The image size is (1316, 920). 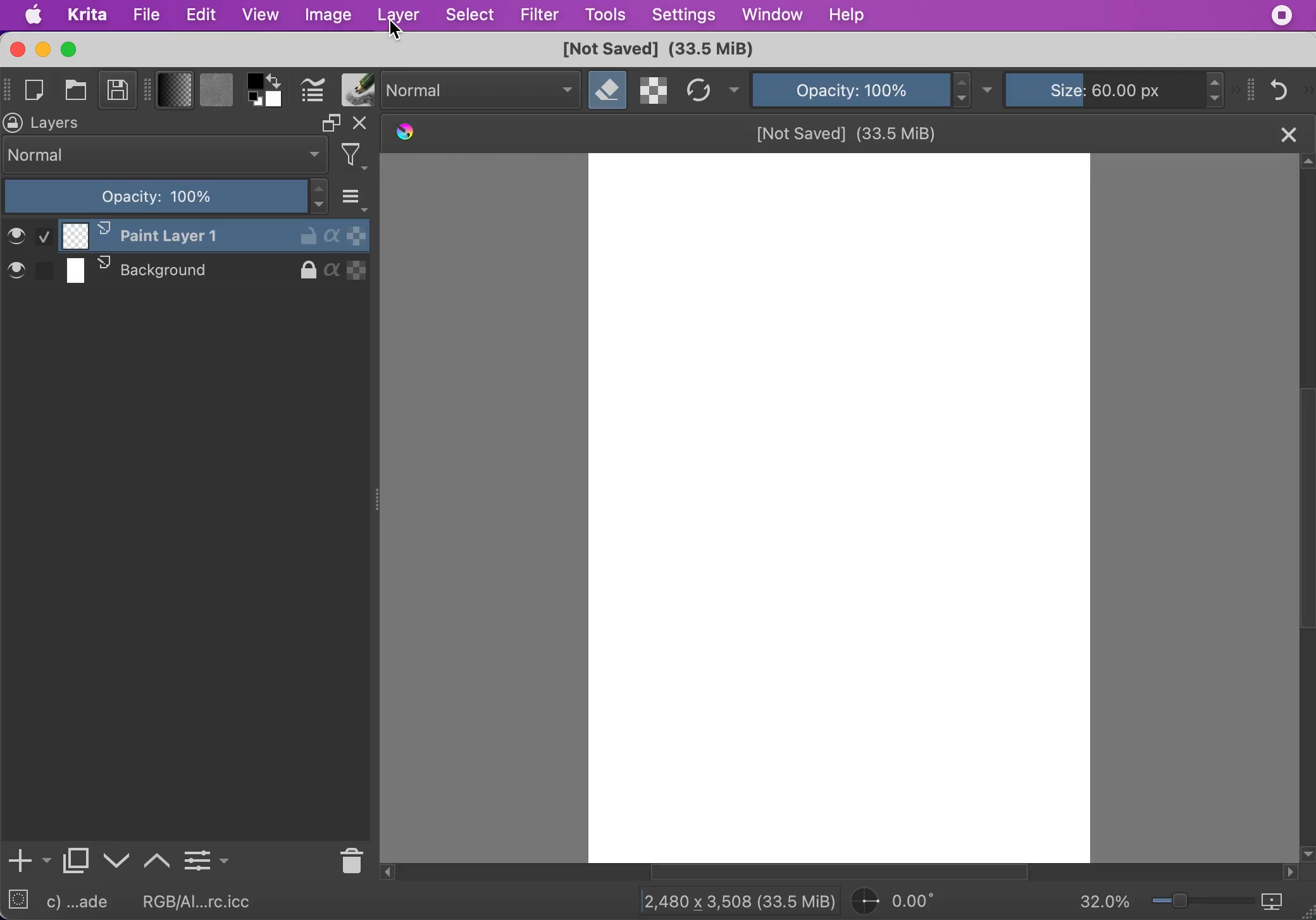 I want to click on move layer or mask up, so click(x=158, y=859).